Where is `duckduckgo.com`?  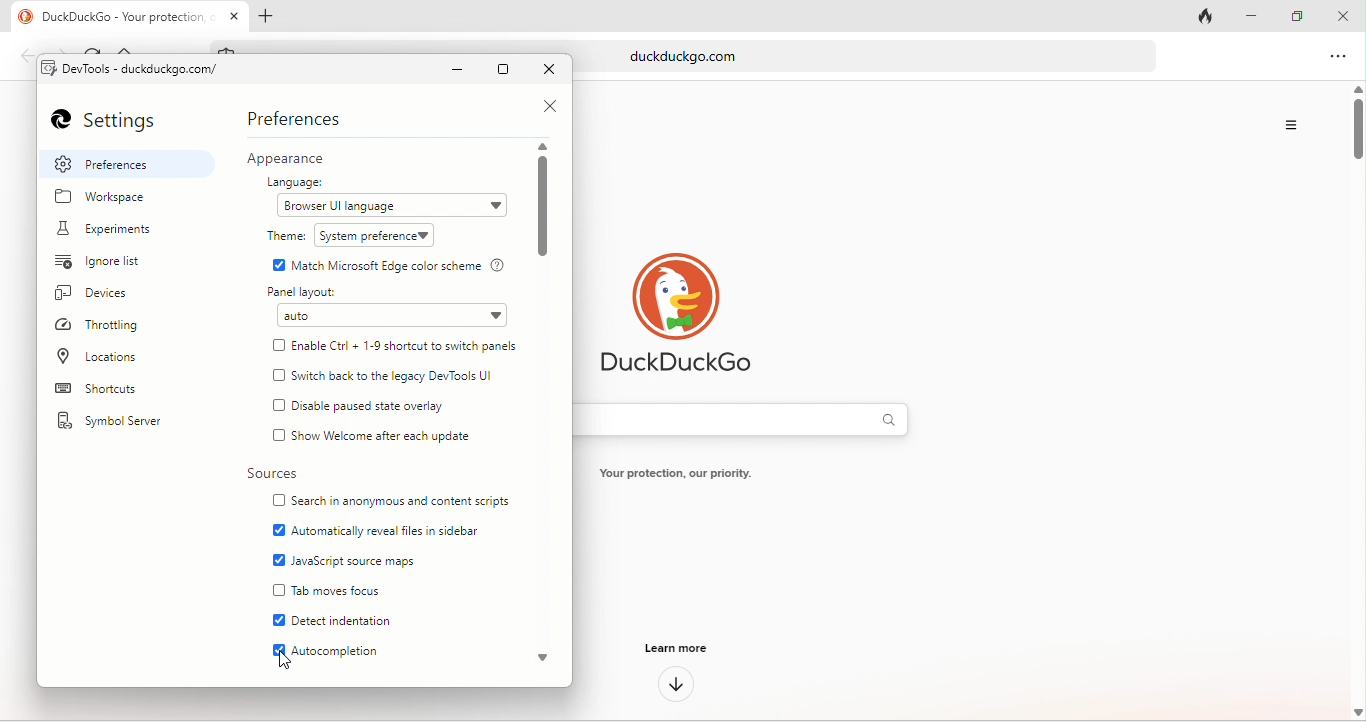
duckduckgo.com is located at coordinates (903, 56).